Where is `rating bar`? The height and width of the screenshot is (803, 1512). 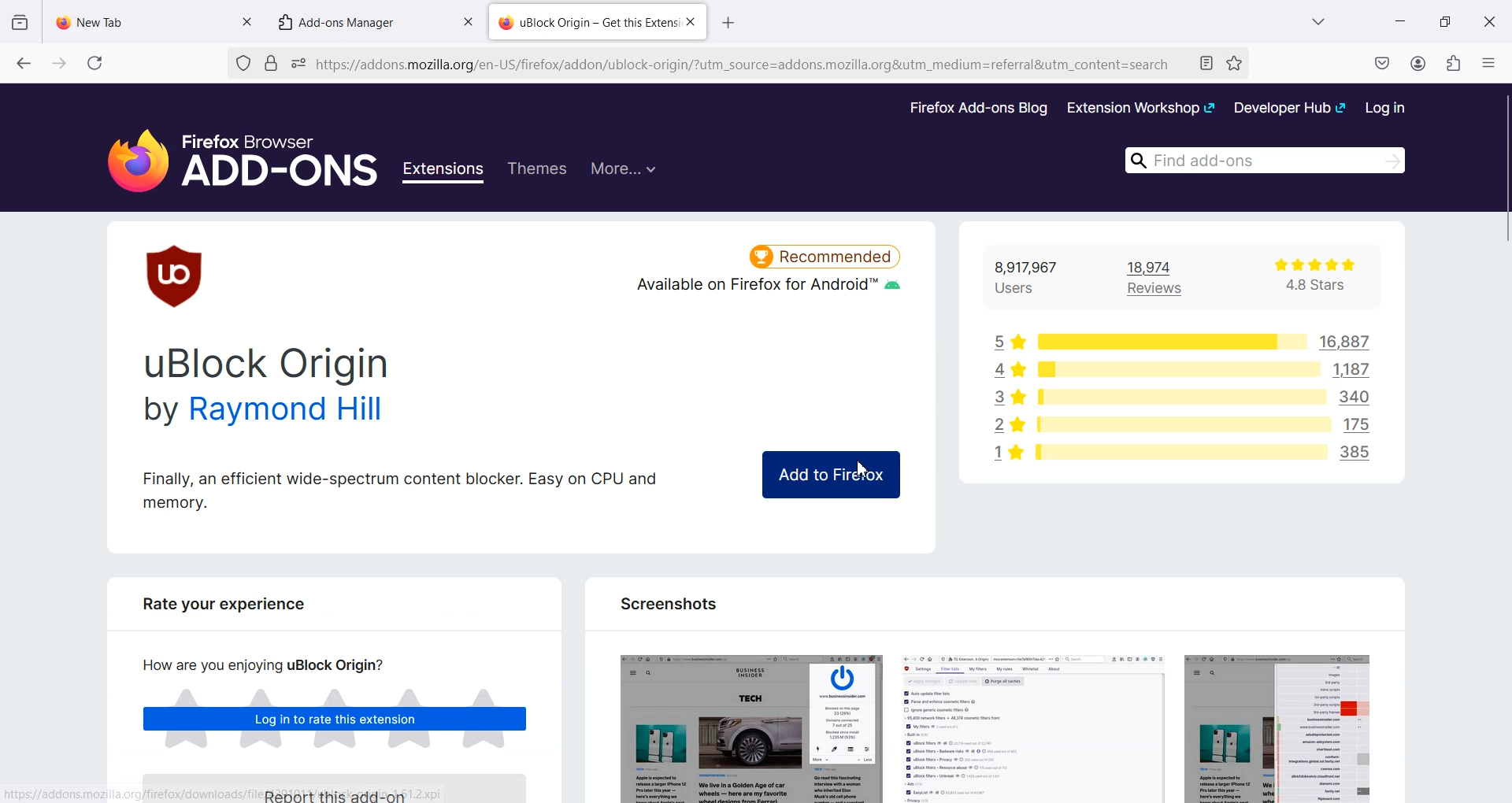
rating bar is located at coordinates (1177, 398).